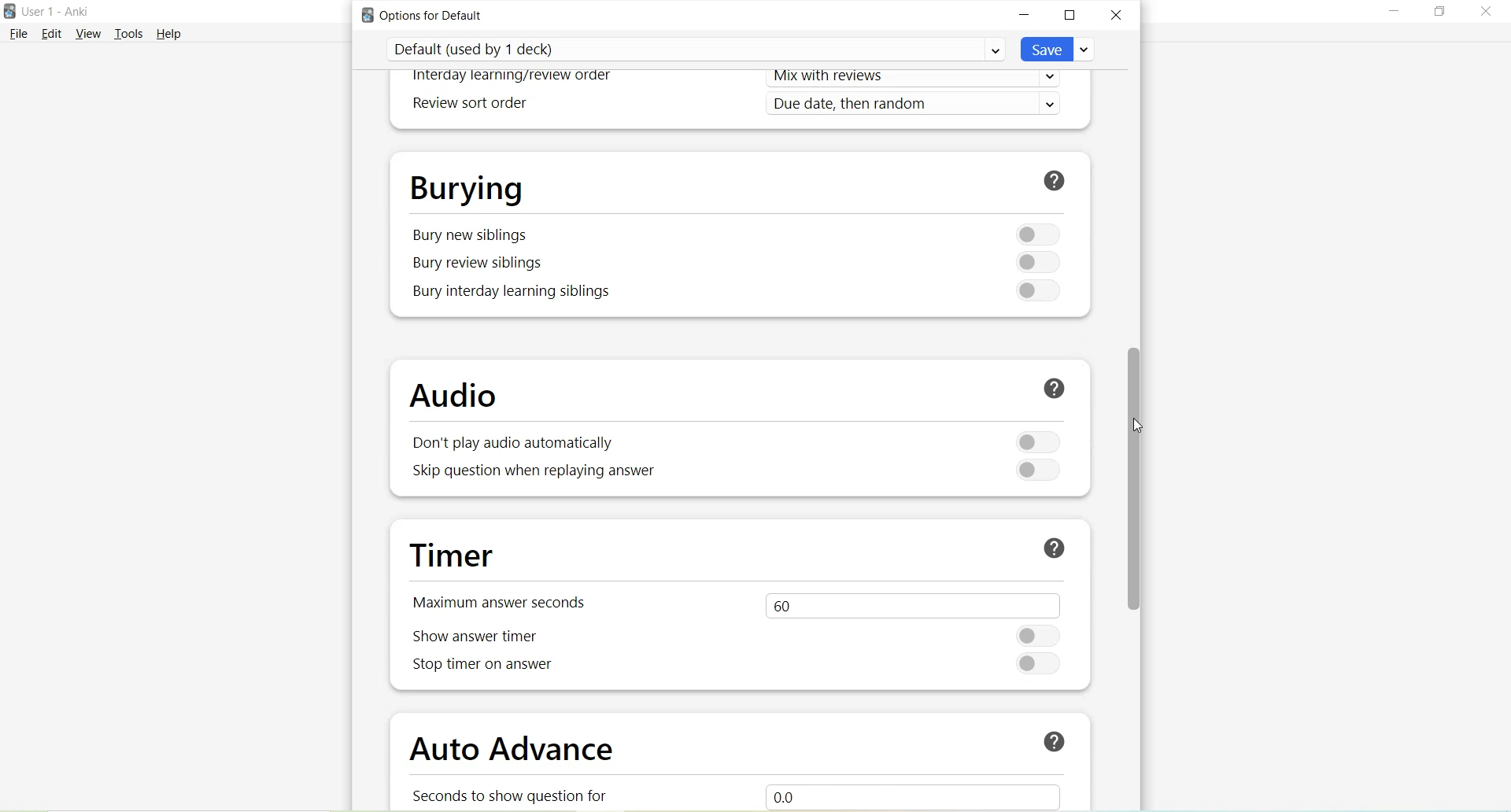  I want to click on File, so click(18, 33).